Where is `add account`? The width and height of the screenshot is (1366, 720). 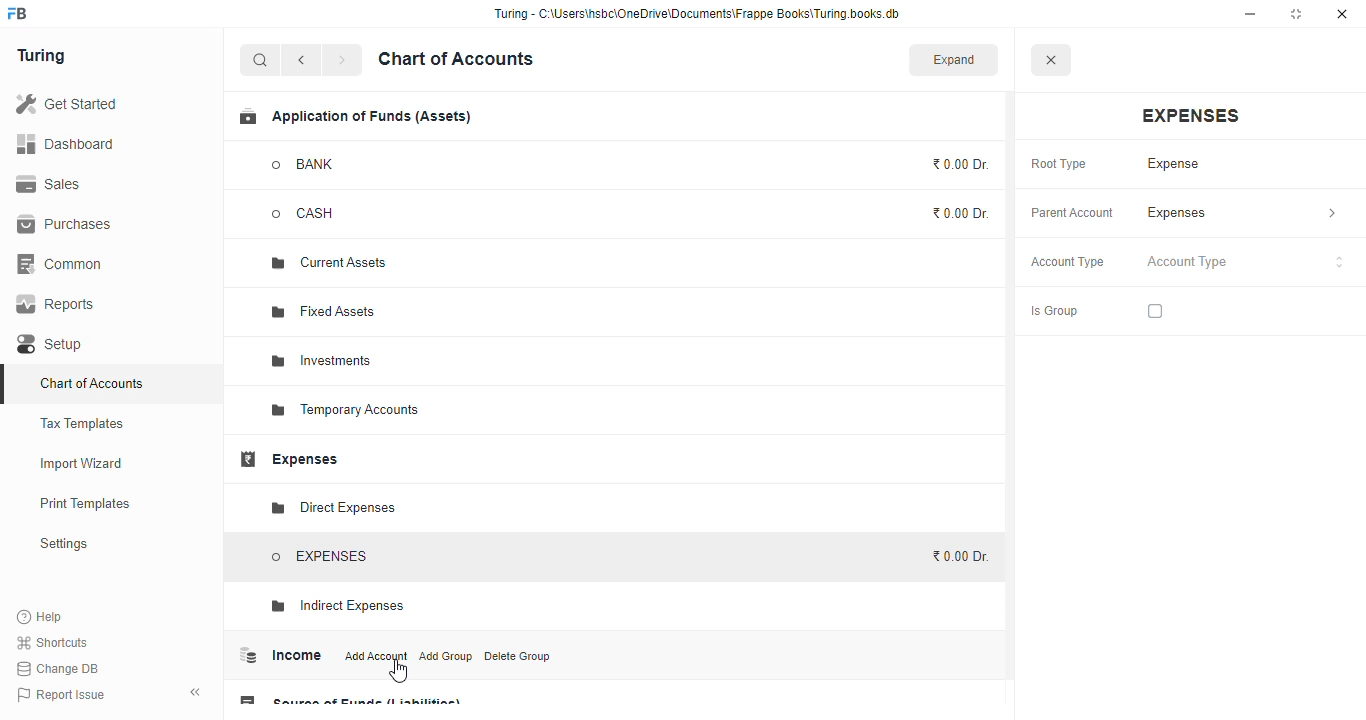 add account is located at coordinates (378, 656).